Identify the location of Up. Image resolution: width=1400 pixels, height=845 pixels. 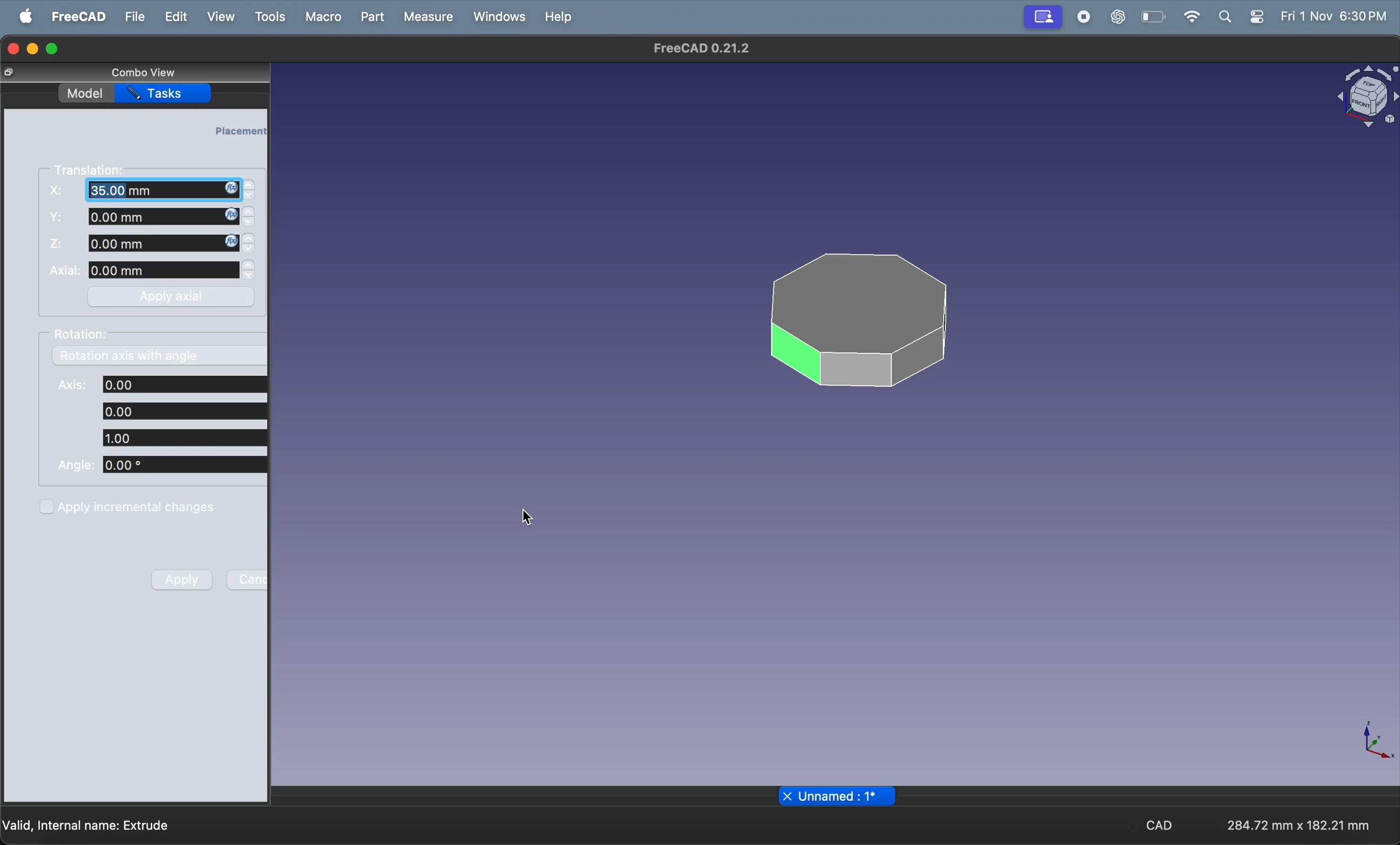
(248, 184).